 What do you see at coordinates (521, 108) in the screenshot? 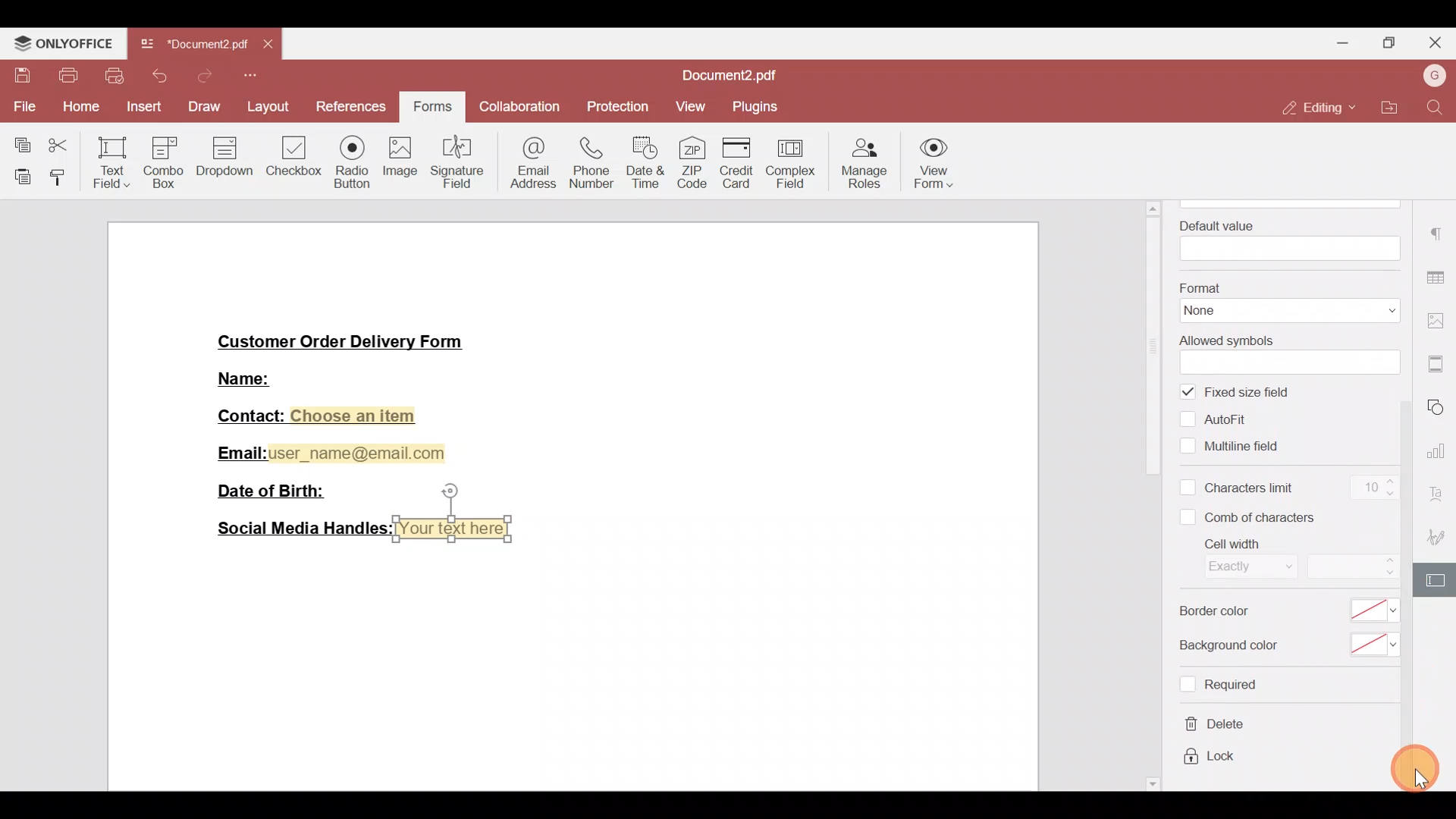
I see `Collaboration` at bounding box center [521, 108].